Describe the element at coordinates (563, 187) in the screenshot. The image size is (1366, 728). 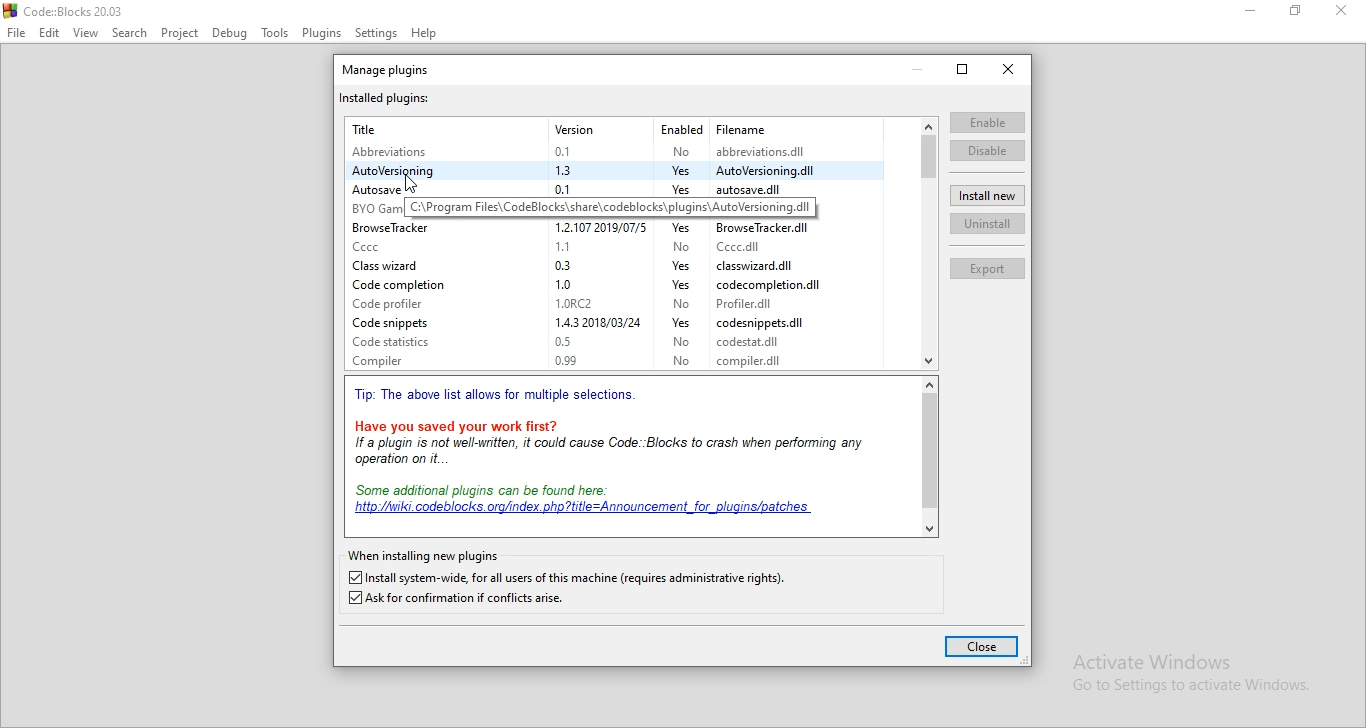
I see `0.1` at that location.